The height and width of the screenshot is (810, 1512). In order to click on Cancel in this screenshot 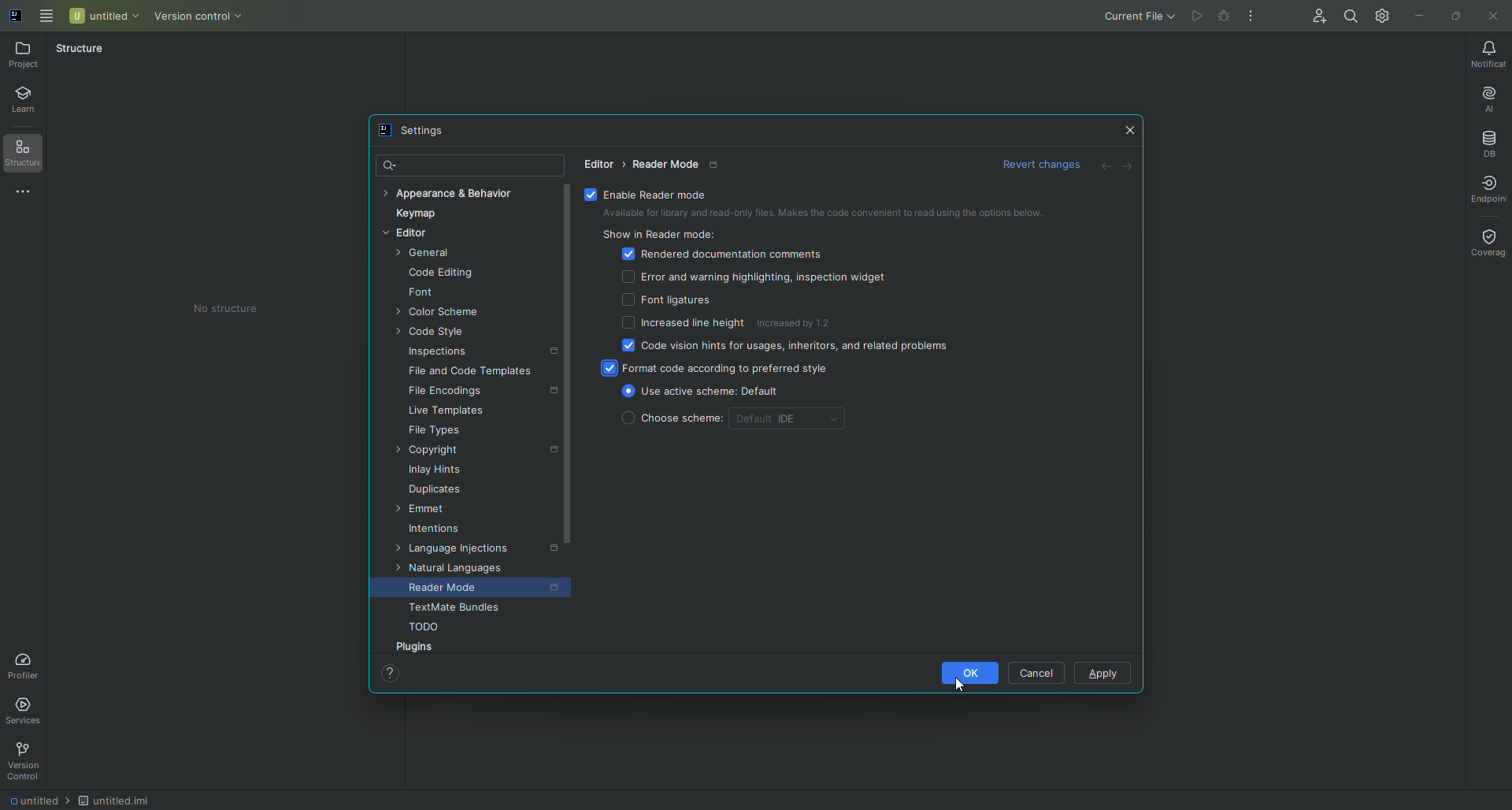, I will do `click(1033, 673)`.